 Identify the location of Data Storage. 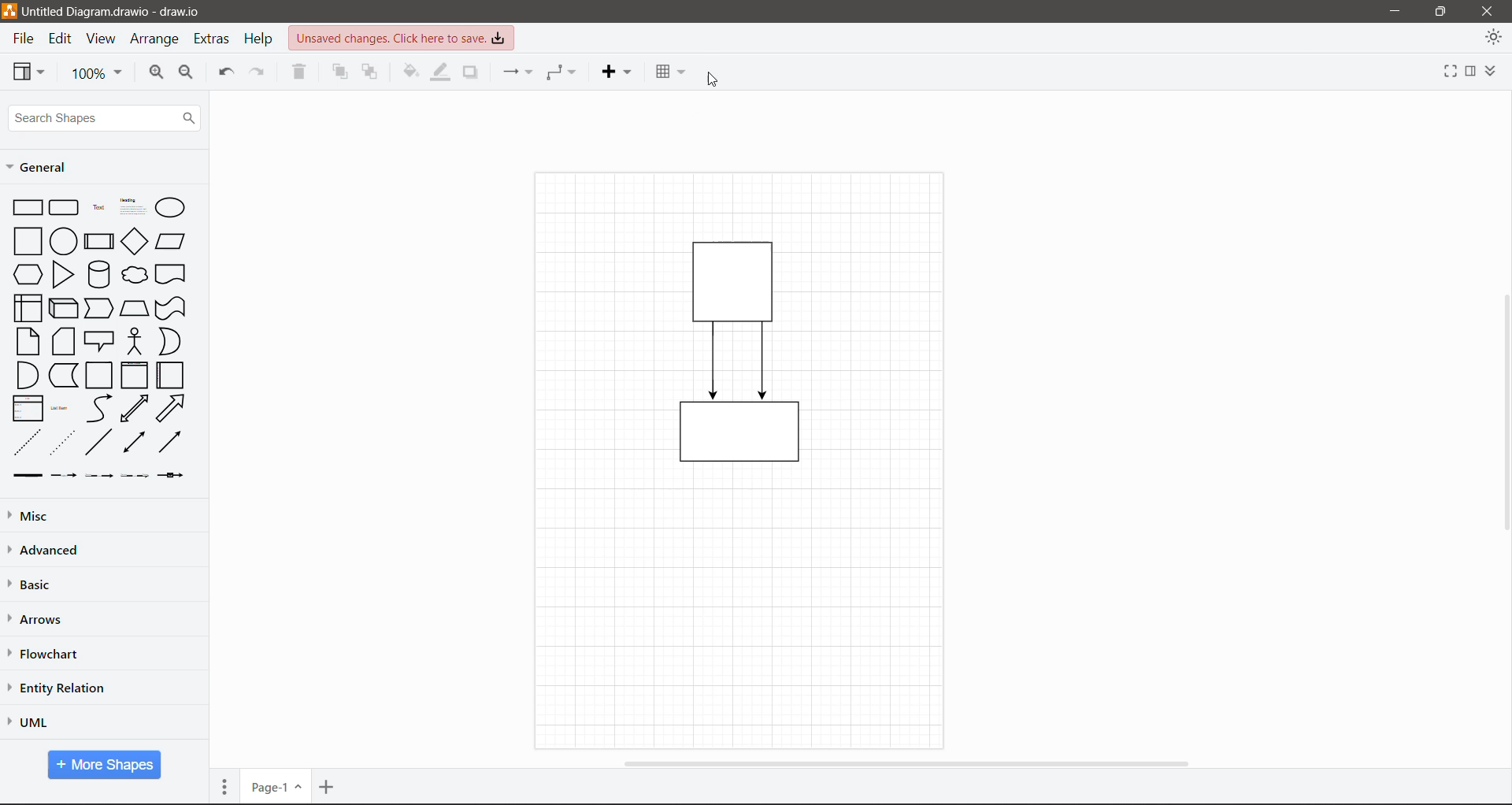
(62, 375).